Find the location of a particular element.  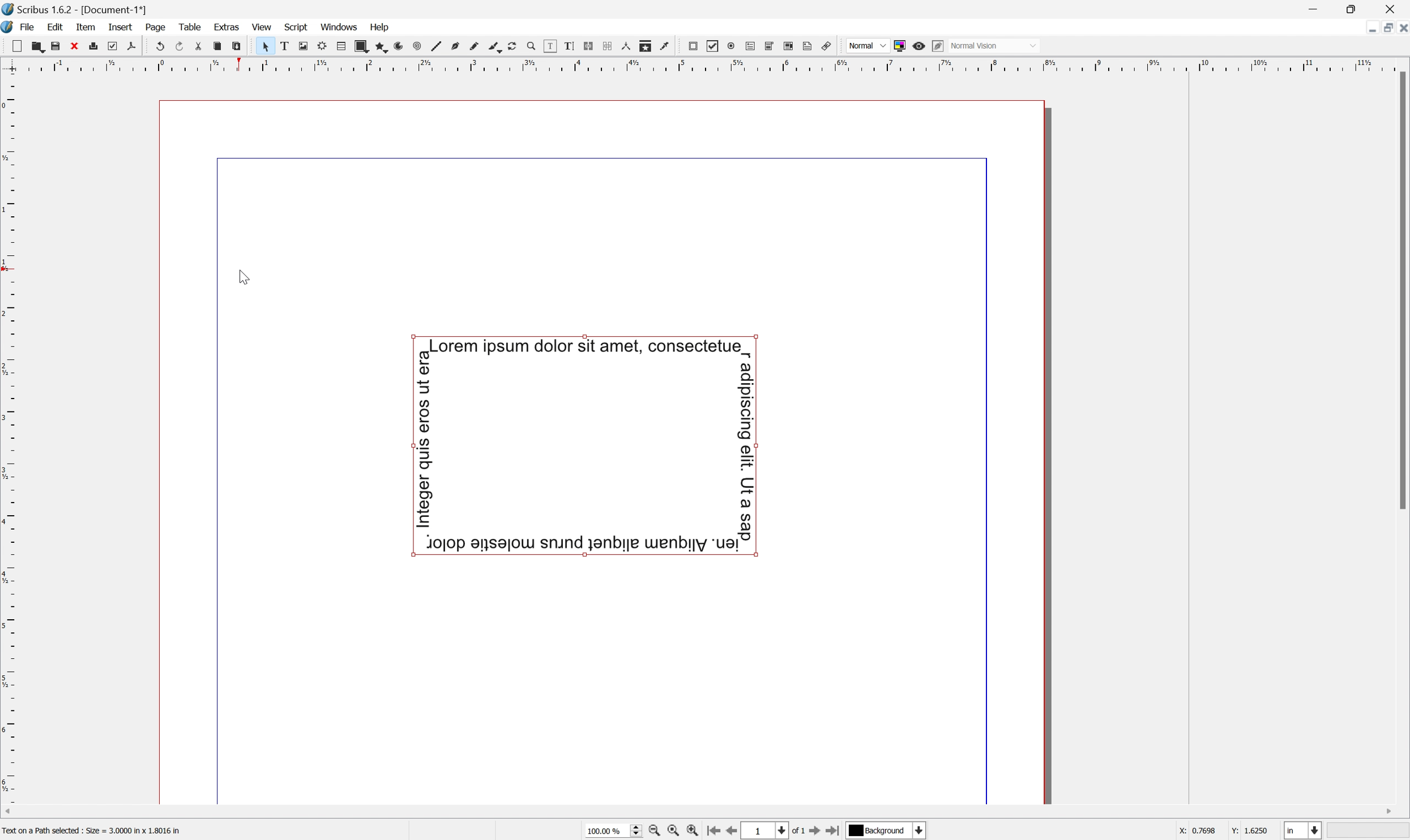

Zoom out by the stepping value is located at coordinates (657, 832).